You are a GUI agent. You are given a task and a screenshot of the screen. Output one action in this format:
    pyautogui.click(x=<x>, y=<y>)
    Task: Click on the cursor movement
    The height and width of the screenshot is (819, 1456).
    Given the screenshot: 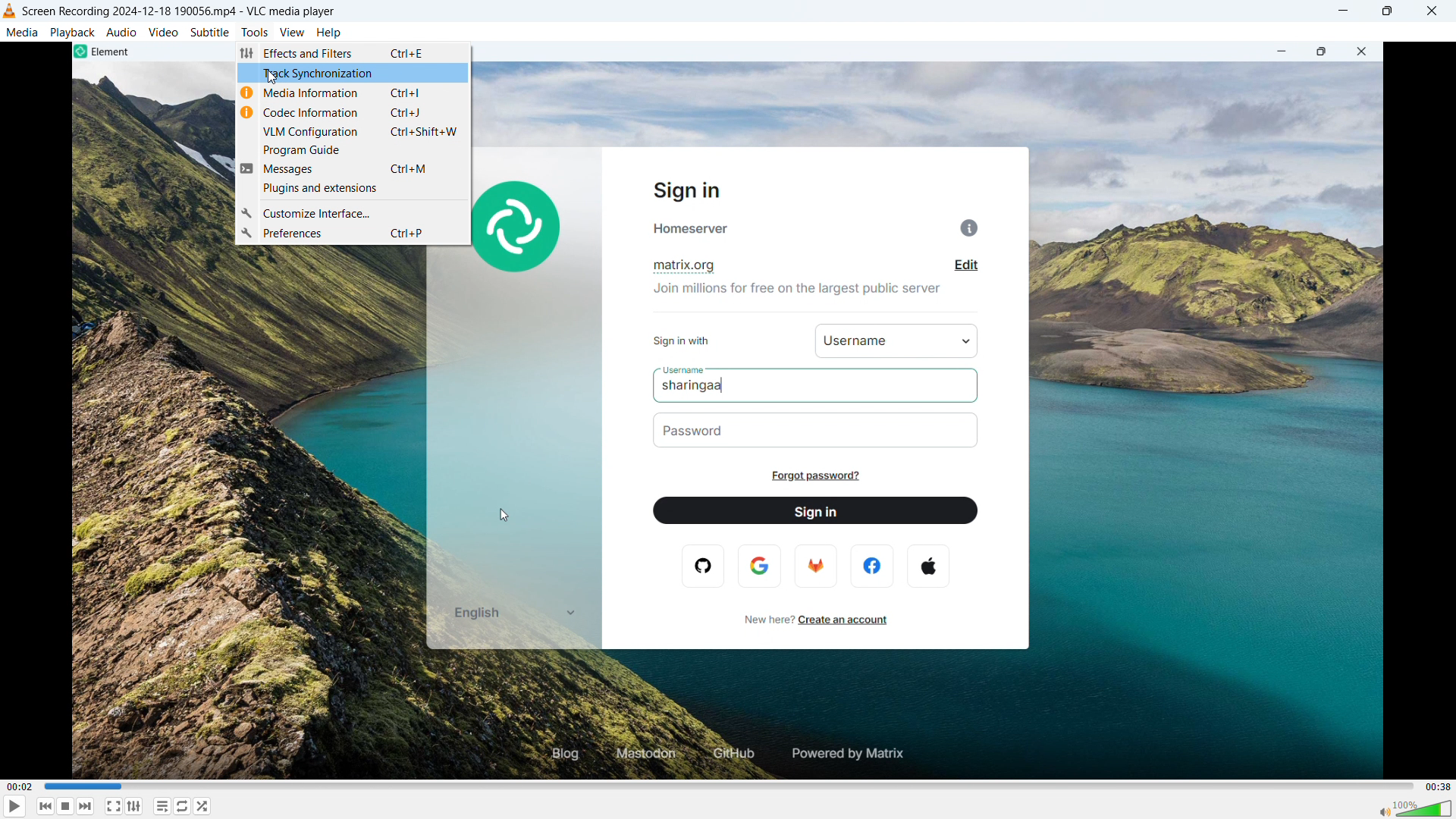 What is the action you would take?
    pyautogui.click(x=493, y=513)
    